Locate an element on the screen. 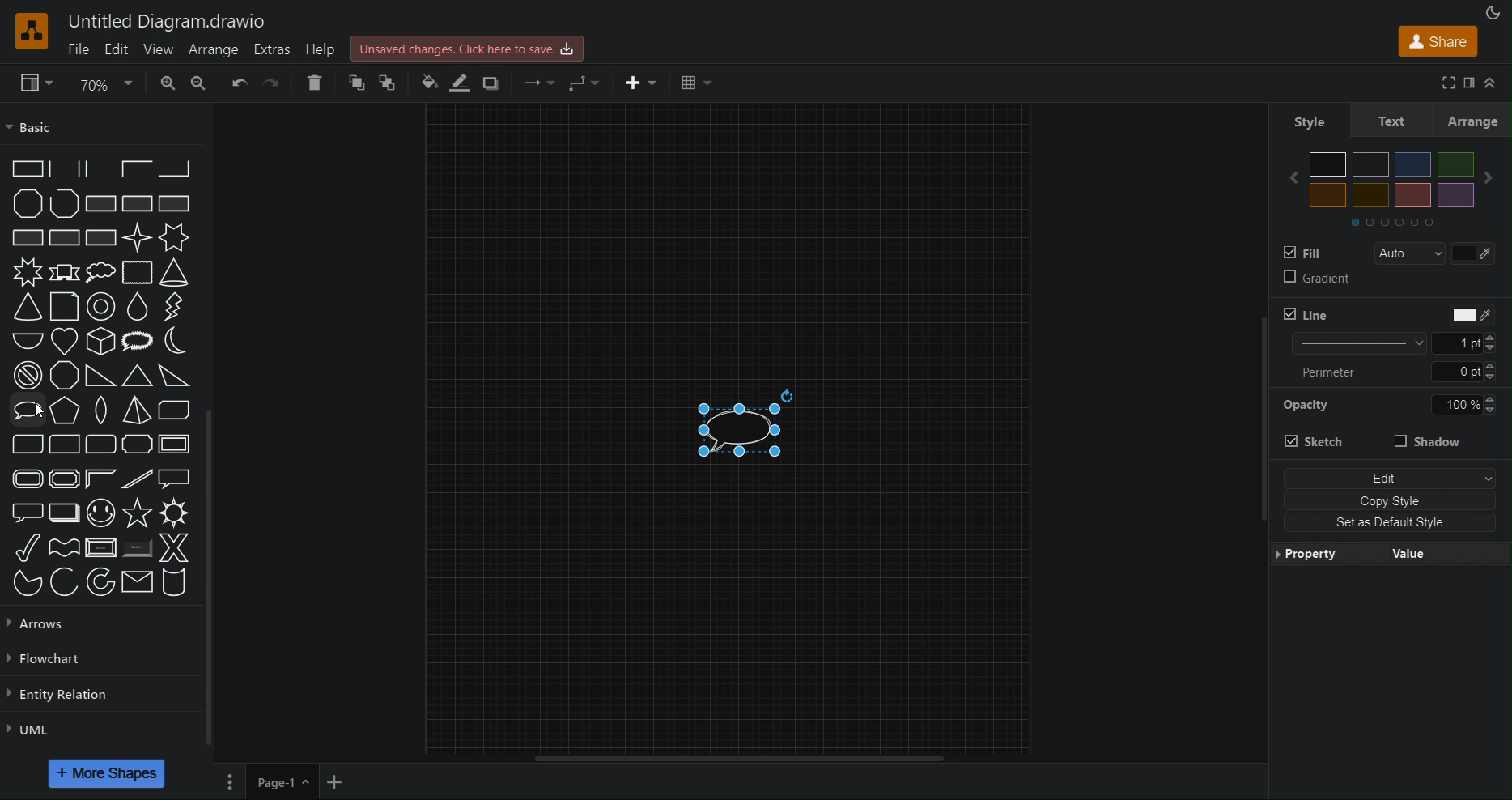 The width and height of the screenshot is (1512, 800). Format is located at coordinates (1470, 83).